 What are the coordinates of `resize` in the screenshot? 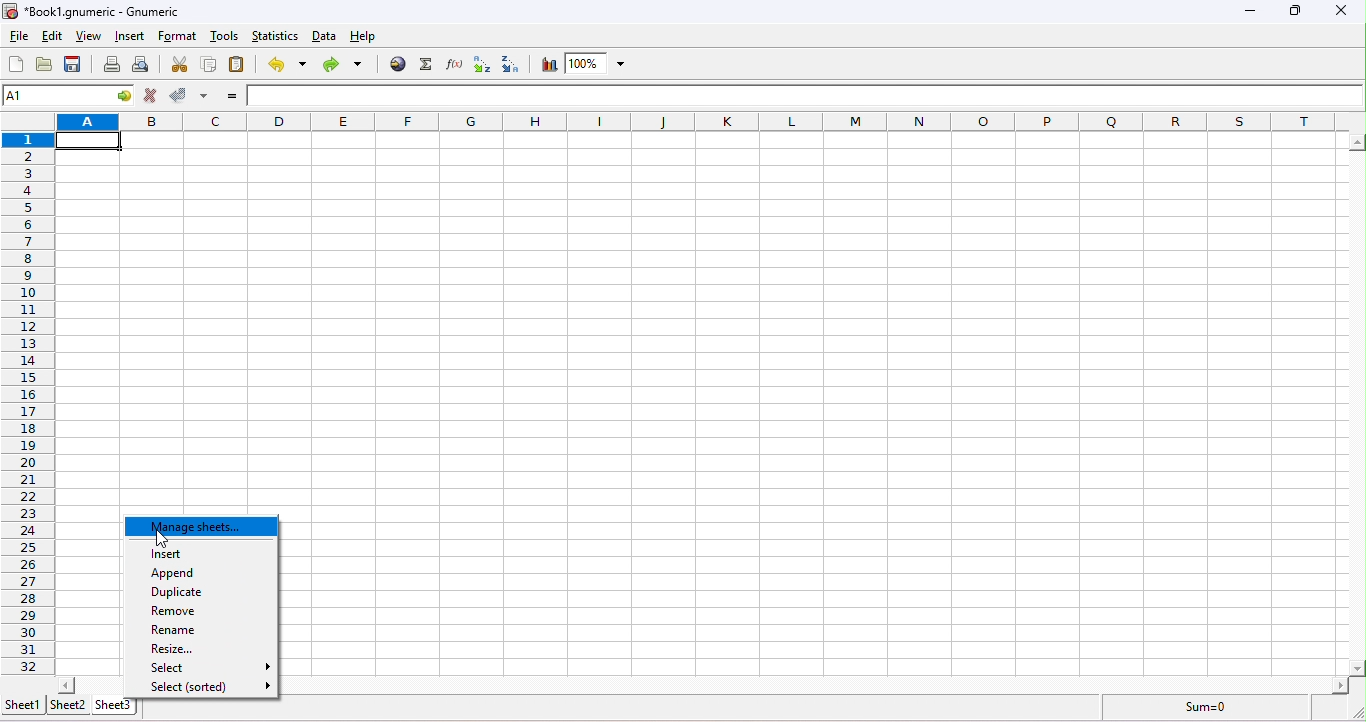 It's located at (198, 648).